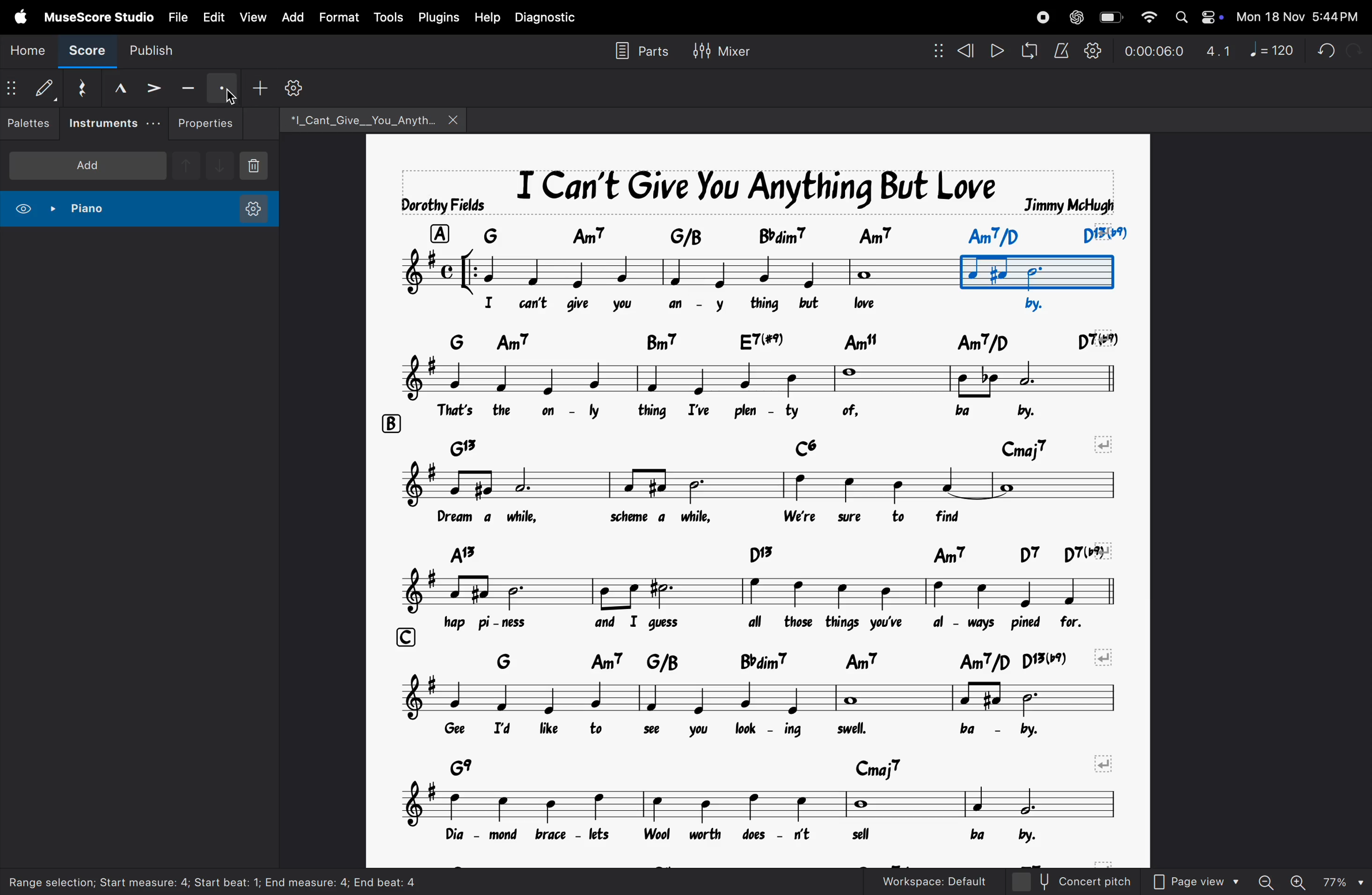 This screenshot has width=1372, height=895. Describe the element at coordinates (186, 170) in the screenshot. I see `upnote` at that location.